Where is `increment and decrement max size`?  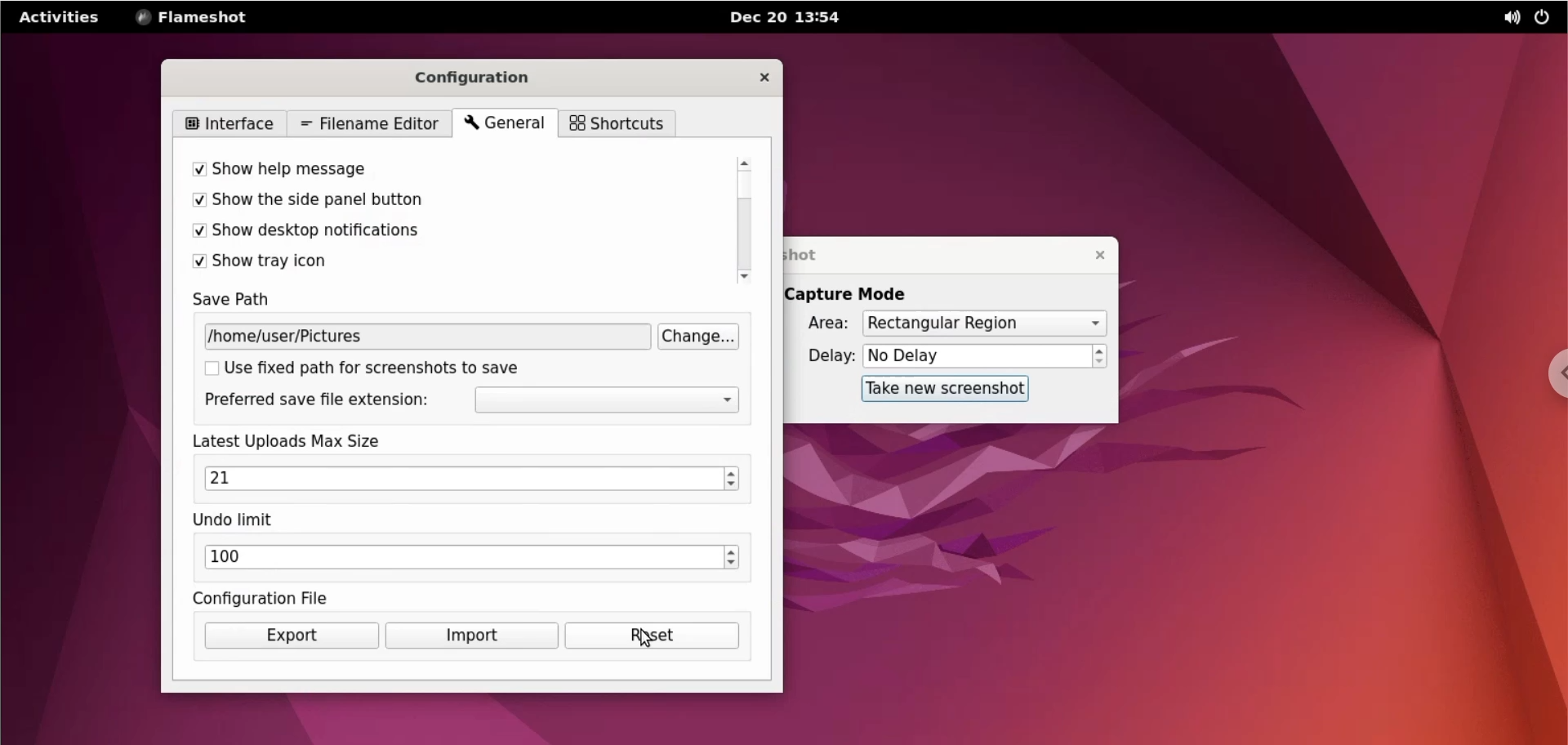
increment and decrement max size is located at coordinates (733, 480).